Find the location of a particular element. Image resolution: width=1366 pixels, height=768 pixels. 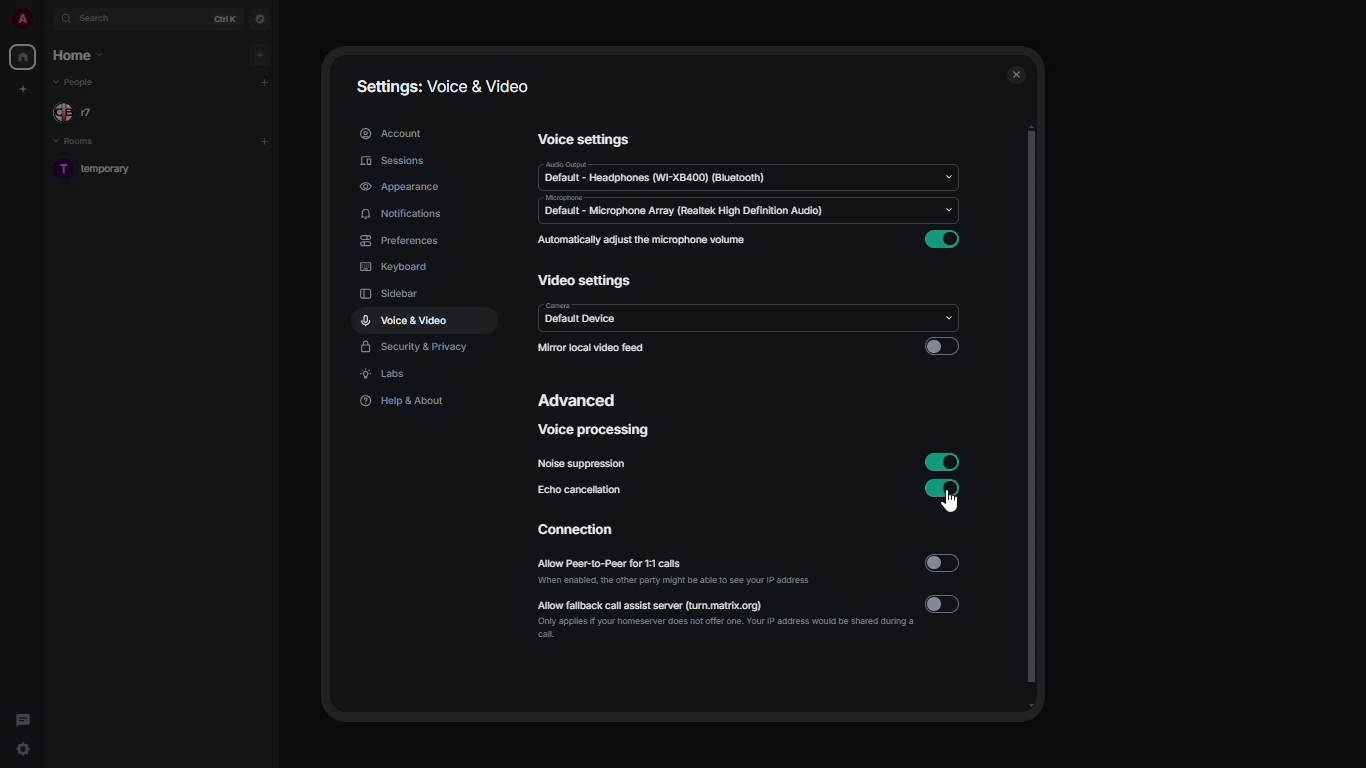

quick settings is located at coordinates (23, 750).